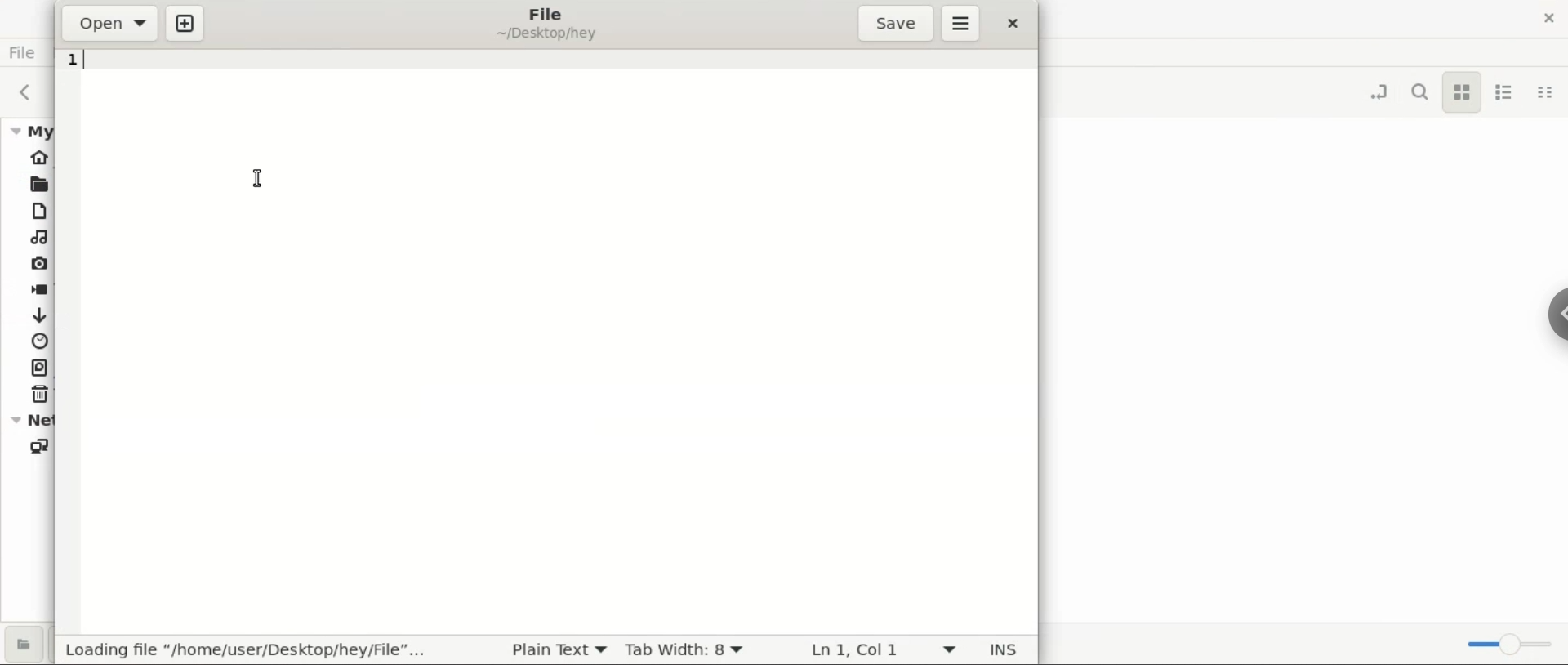  Describe the element at coordinates (186, 22) in the screenshot. I see `new` at that location.